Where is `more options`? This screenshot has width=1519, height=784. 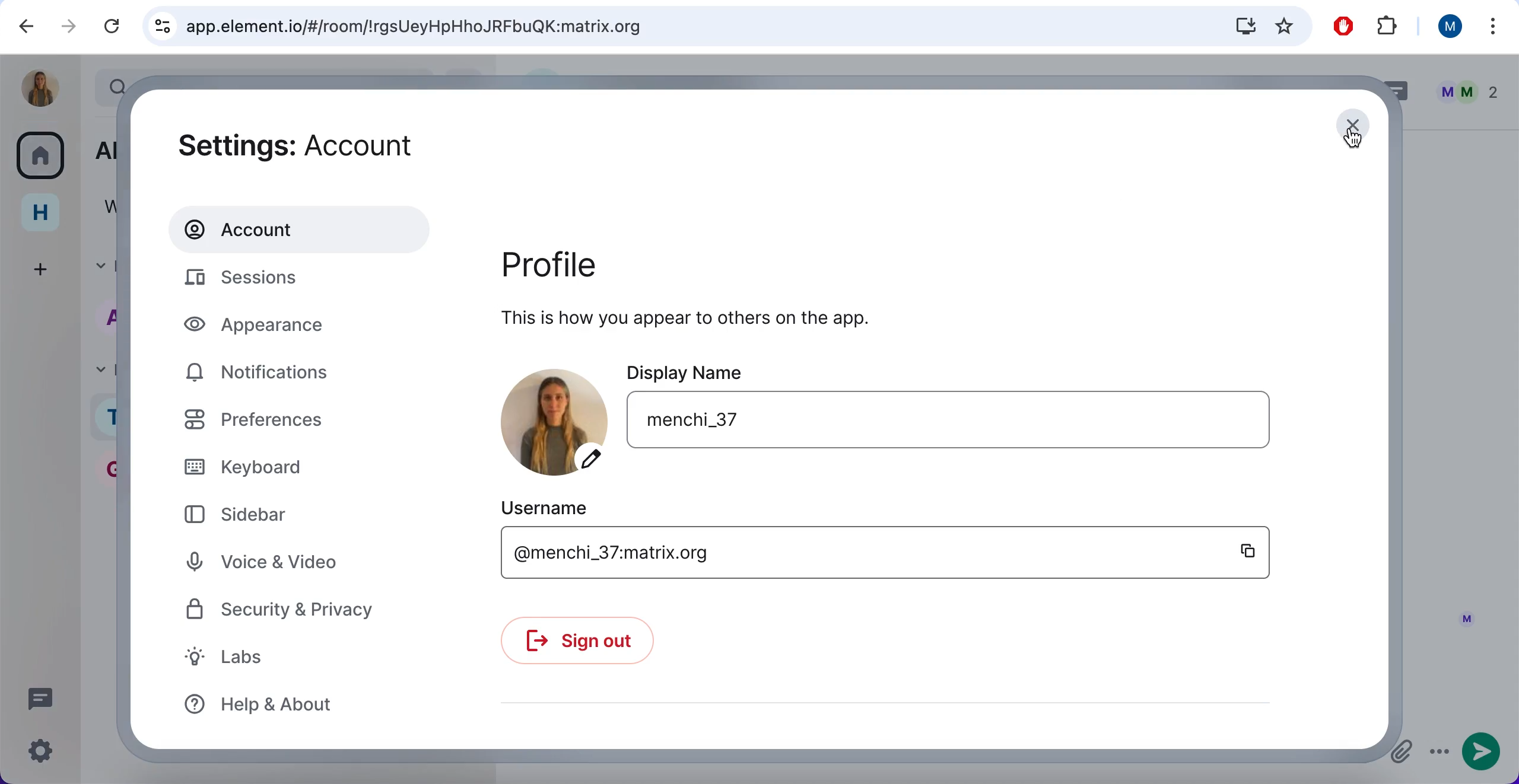
more options is located at coordinates (1492, 26).